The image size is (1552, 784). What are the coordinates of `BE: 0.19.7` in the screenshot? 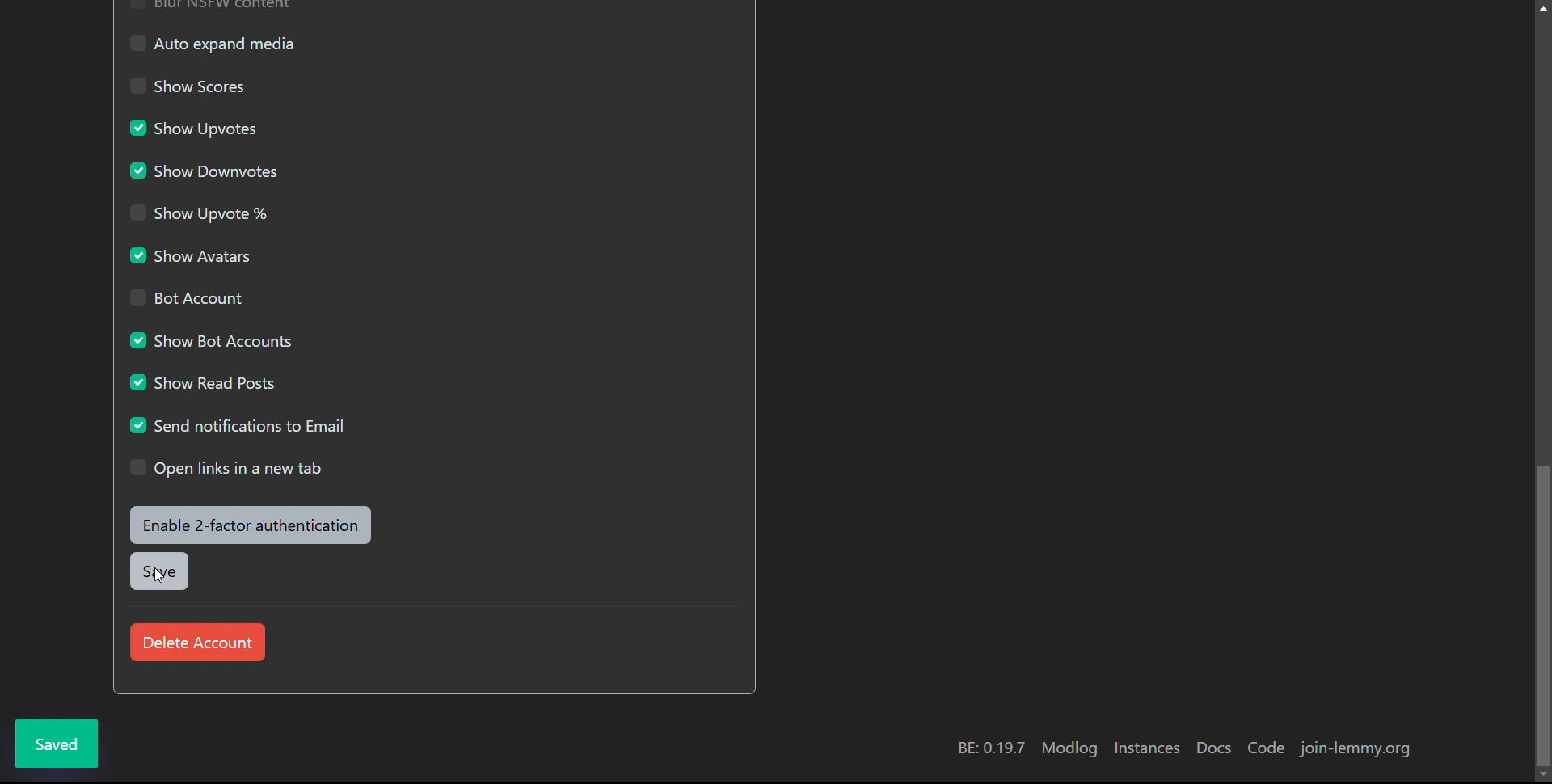 It's located at (989, 747).